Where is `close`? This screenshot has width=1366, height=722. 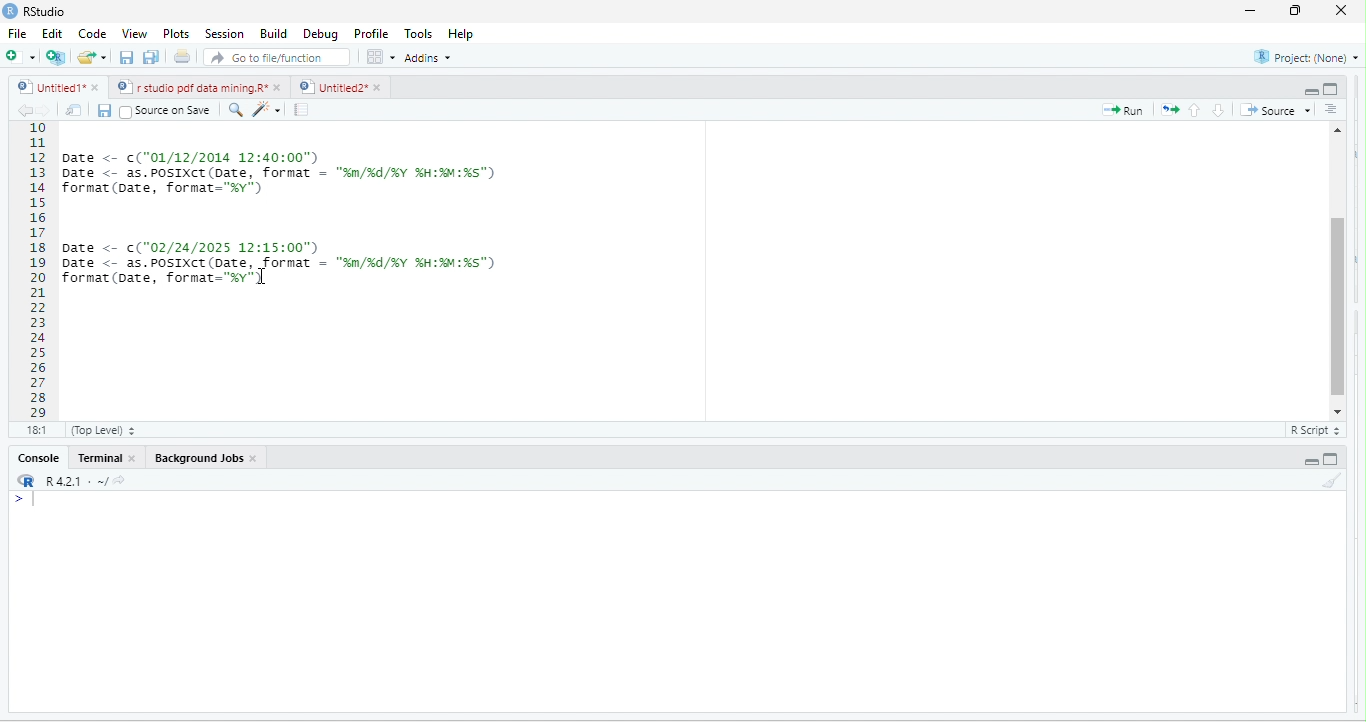
close is located at coordinates (137, 461).